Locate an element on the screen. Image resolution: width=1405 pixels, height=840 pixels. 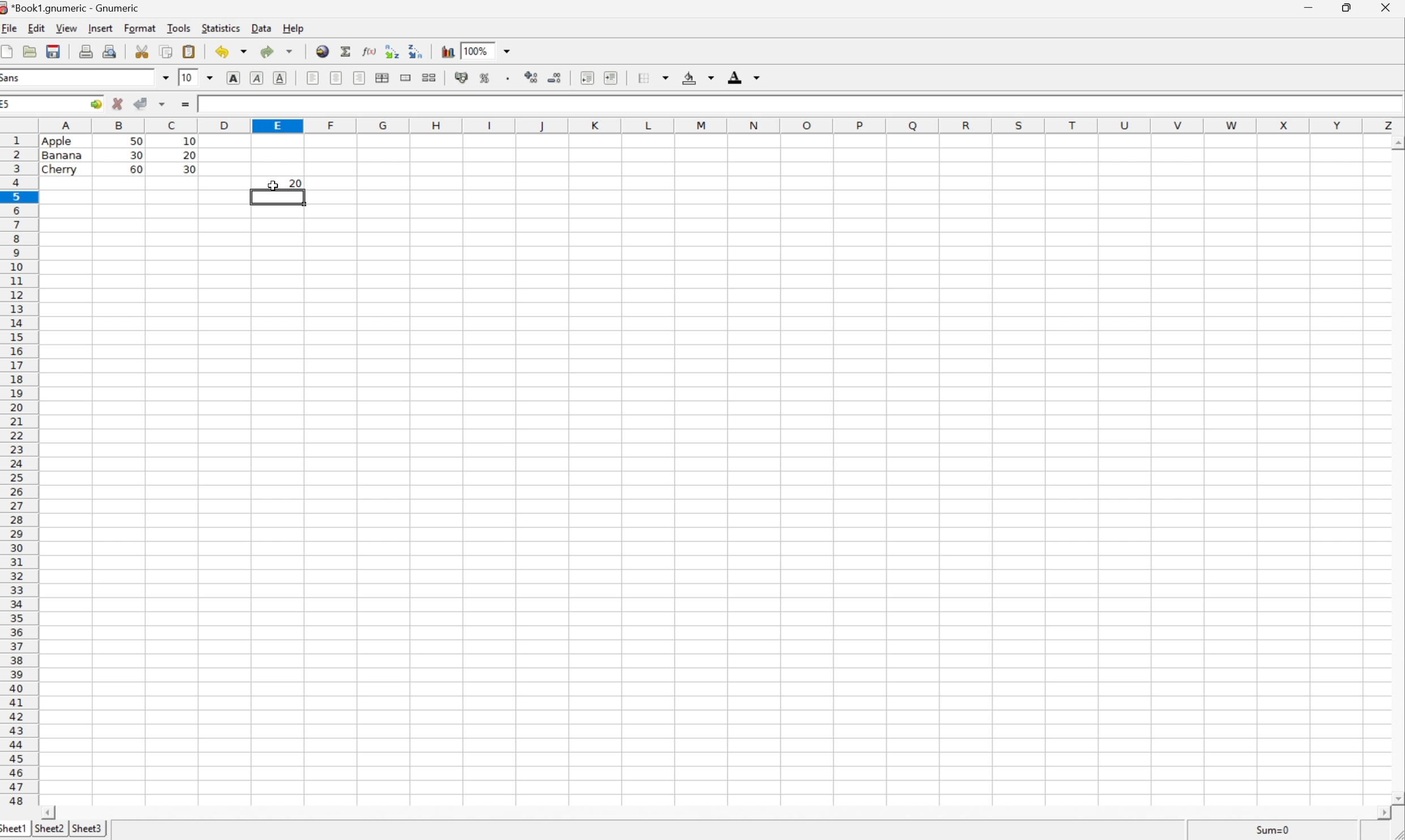
Sort the selected region in ascending order based on the first column selected is located at coordinates (392, 52).